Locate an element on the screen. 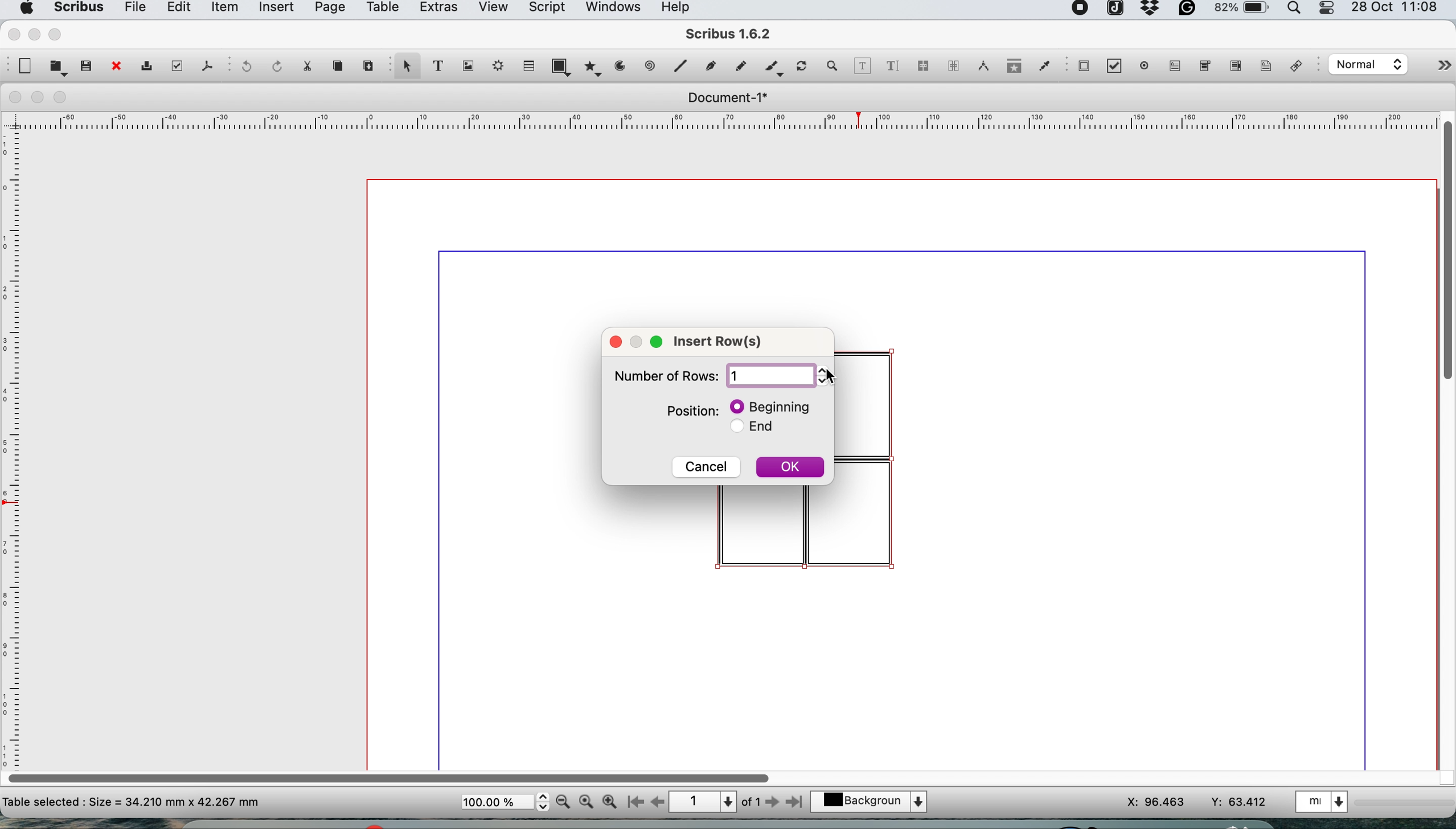 This screenshot has height=829, width=1456. shape is located at coordinates (564, 66).